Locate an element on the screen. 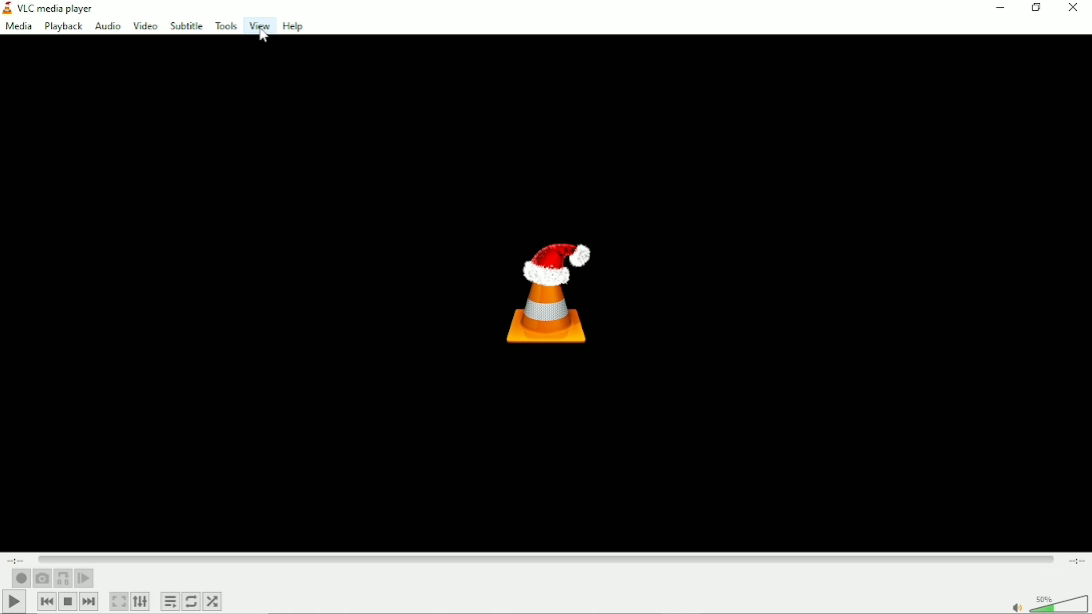  View is located at coordinates (259, 25).